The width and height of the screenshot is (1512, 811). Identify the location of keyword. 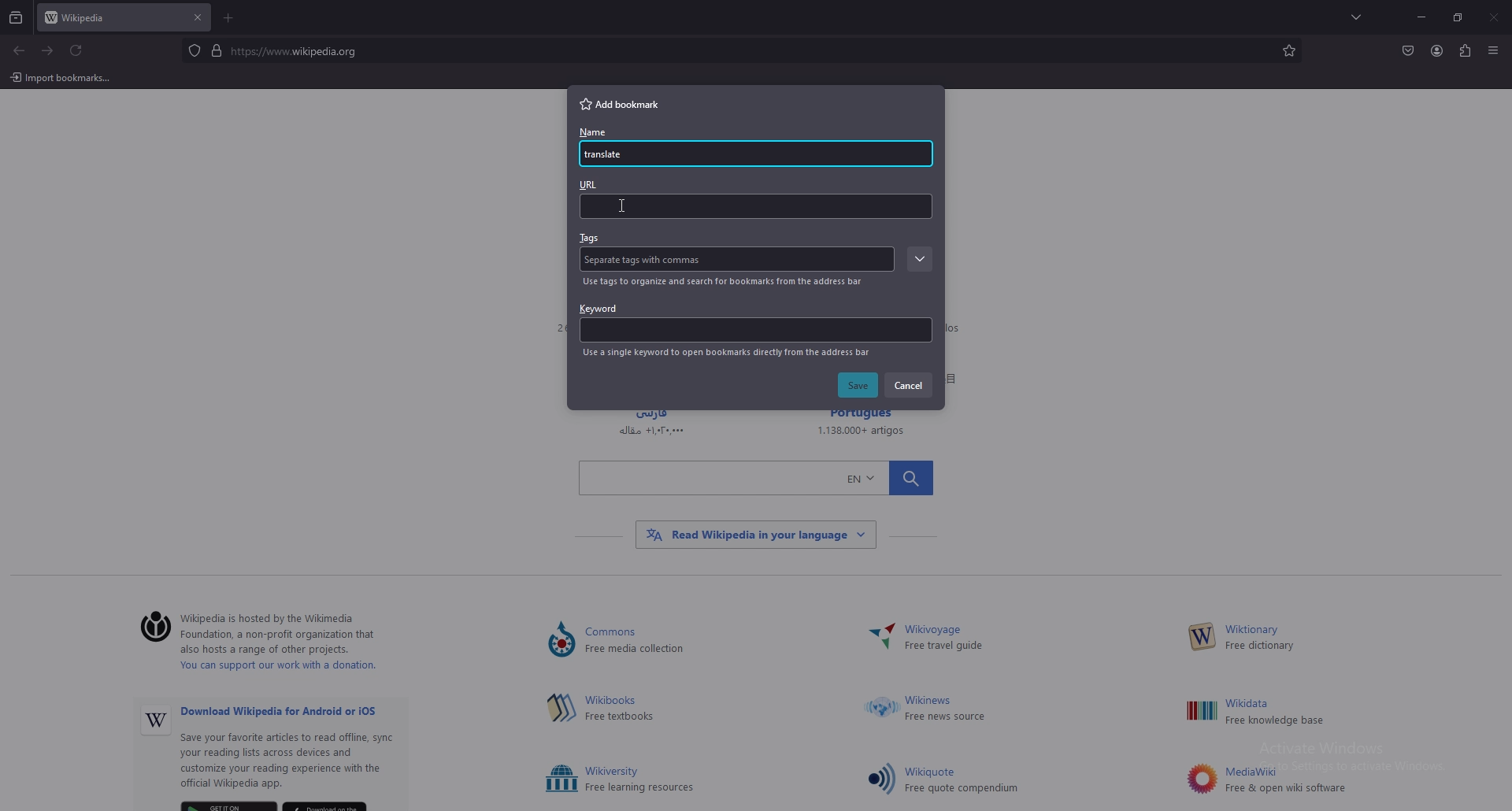
(755, 321).